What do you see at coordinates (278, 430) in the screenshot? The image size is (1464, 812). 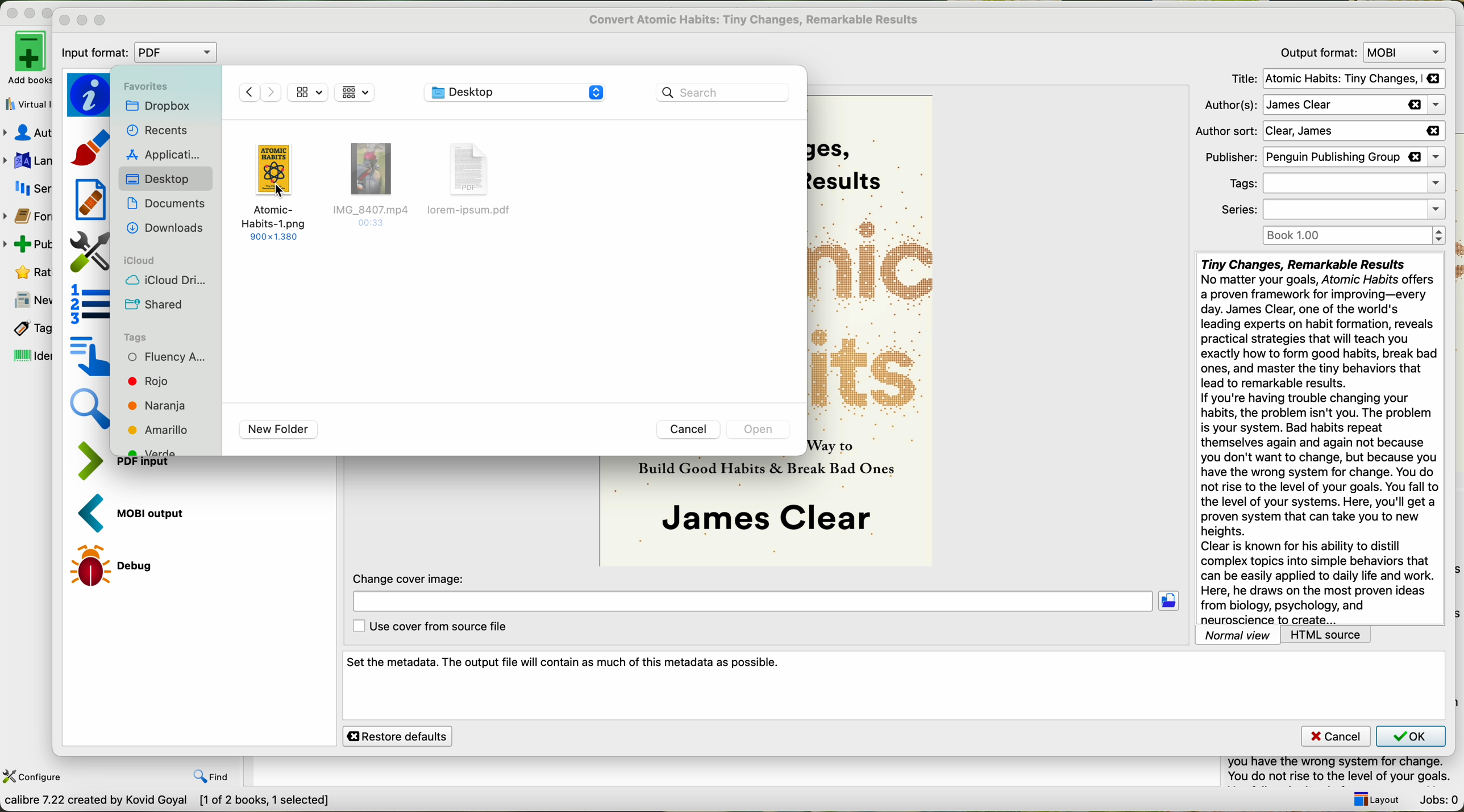 I see `new folder` at bounding box center [278, 430].